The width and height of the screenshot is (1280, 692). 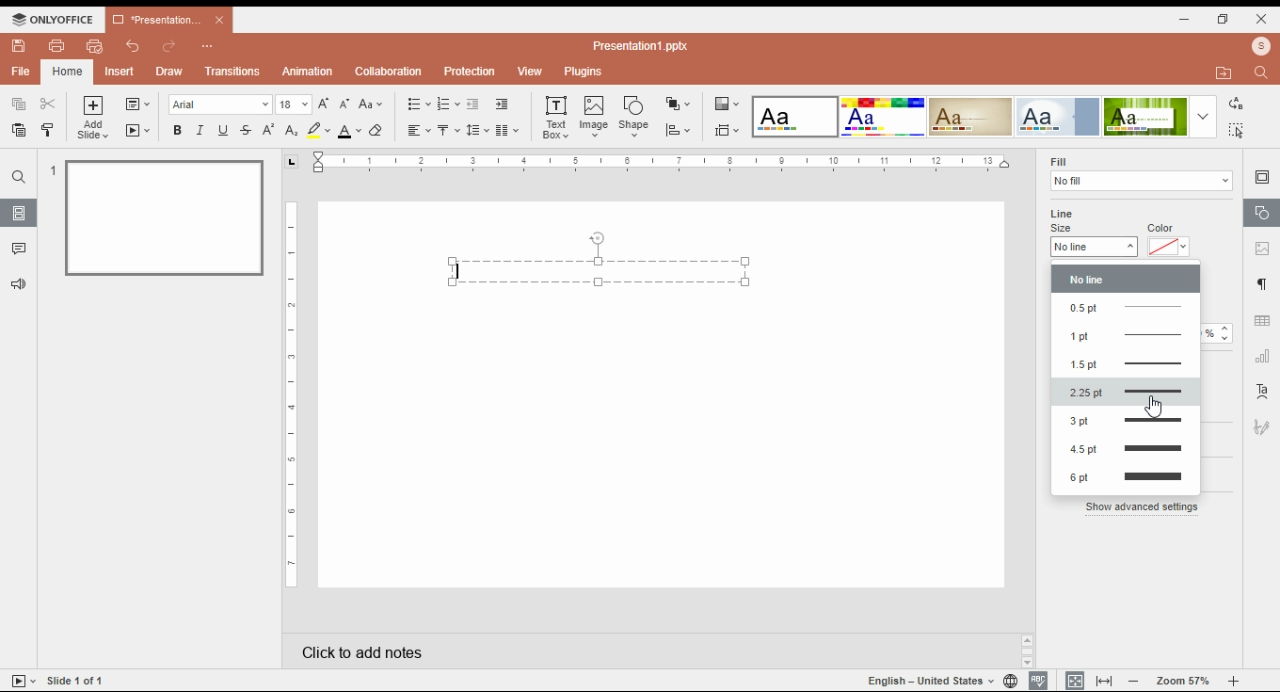 What do you see at coordinates (306, 71) in the screenshot?
I see `animation` at bounding box center [306, 71].